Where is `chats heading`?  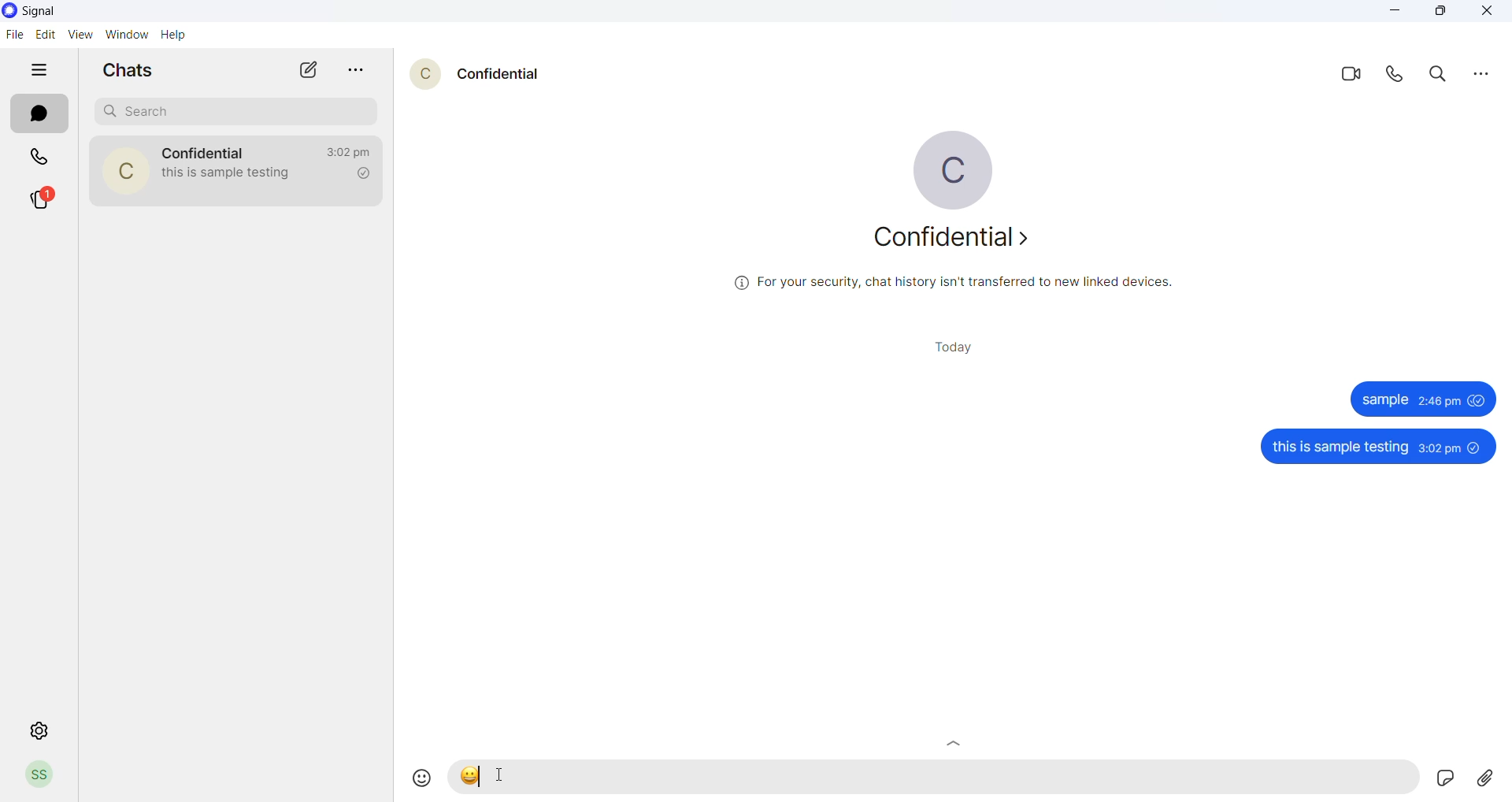 chats heading is located at coordinates (133, 69).